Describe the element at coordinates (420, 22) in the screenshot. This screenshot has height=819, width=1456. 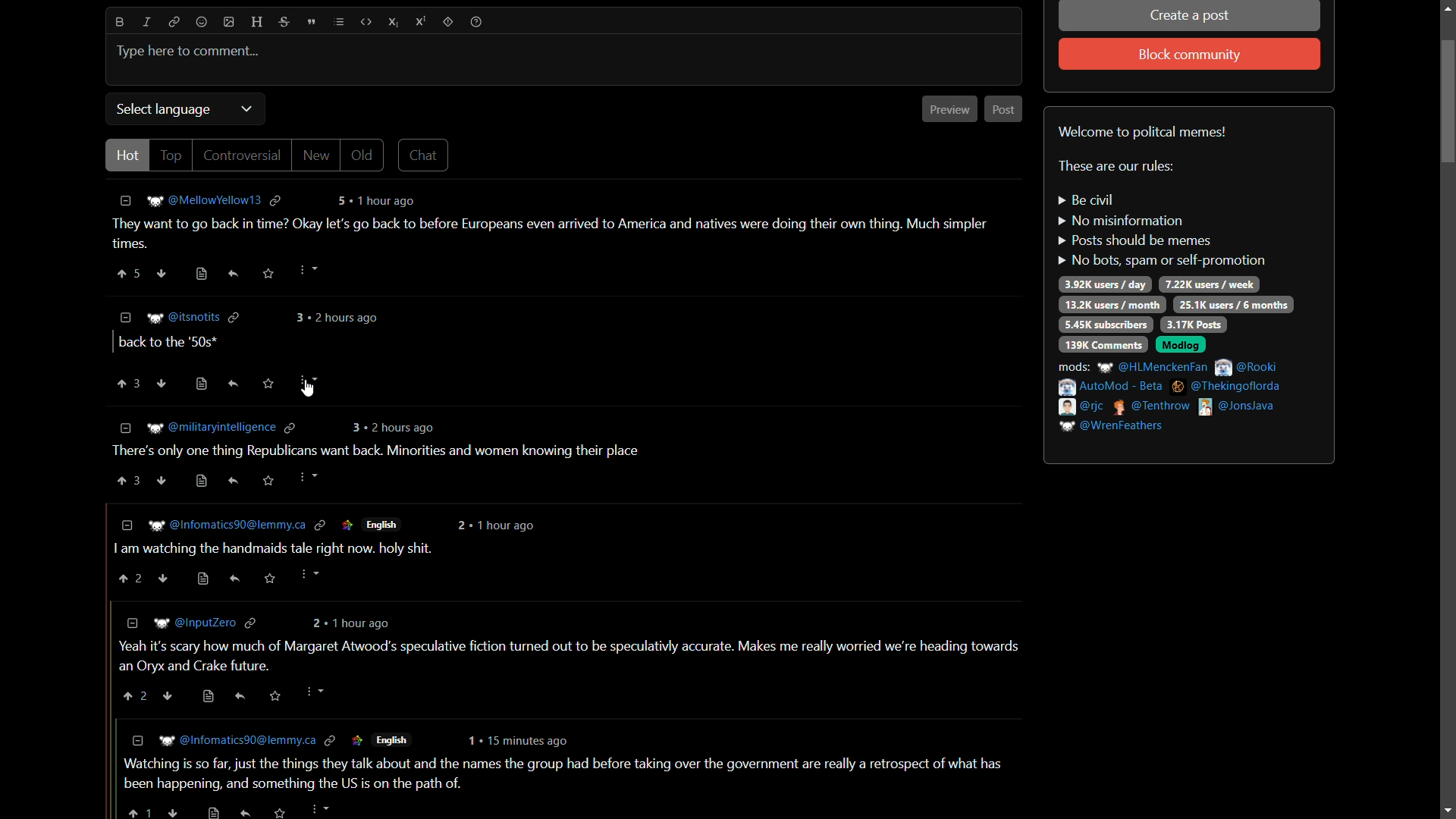
I see `superscript` at that location.